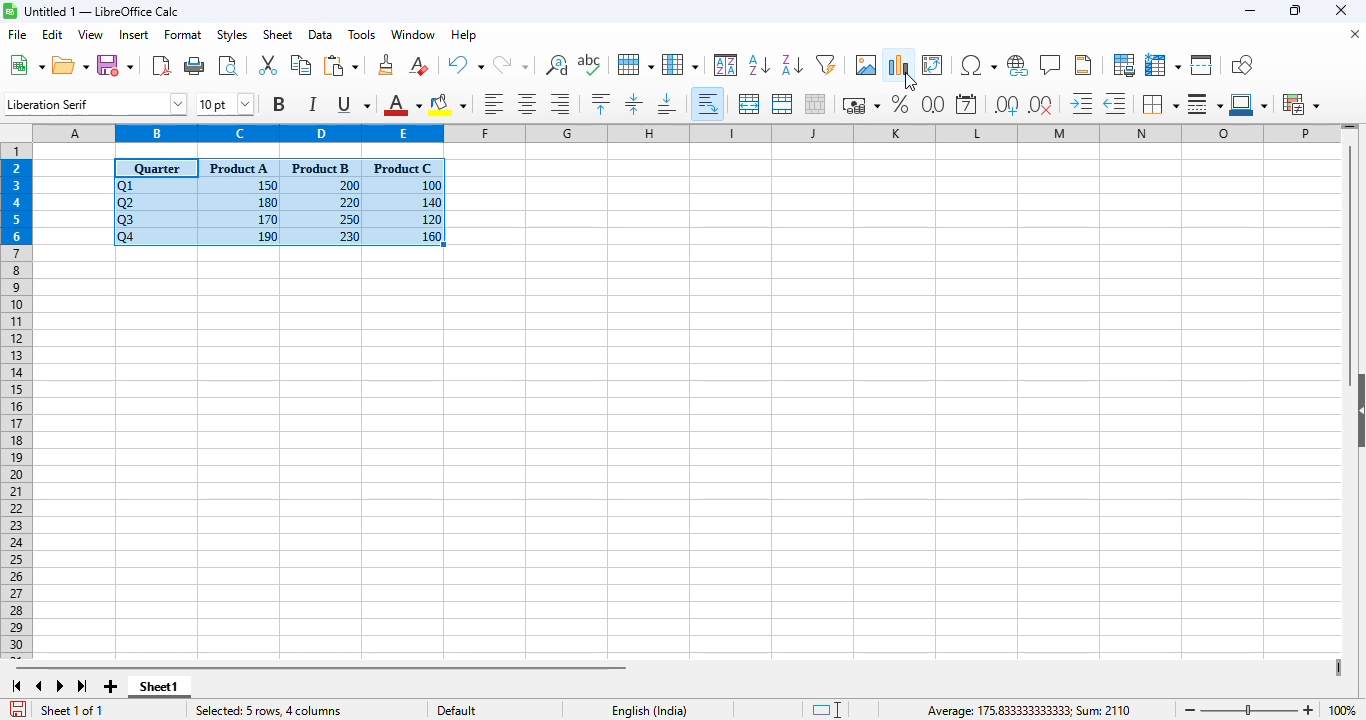  I want to click on add new sheet, so click(108, 686).